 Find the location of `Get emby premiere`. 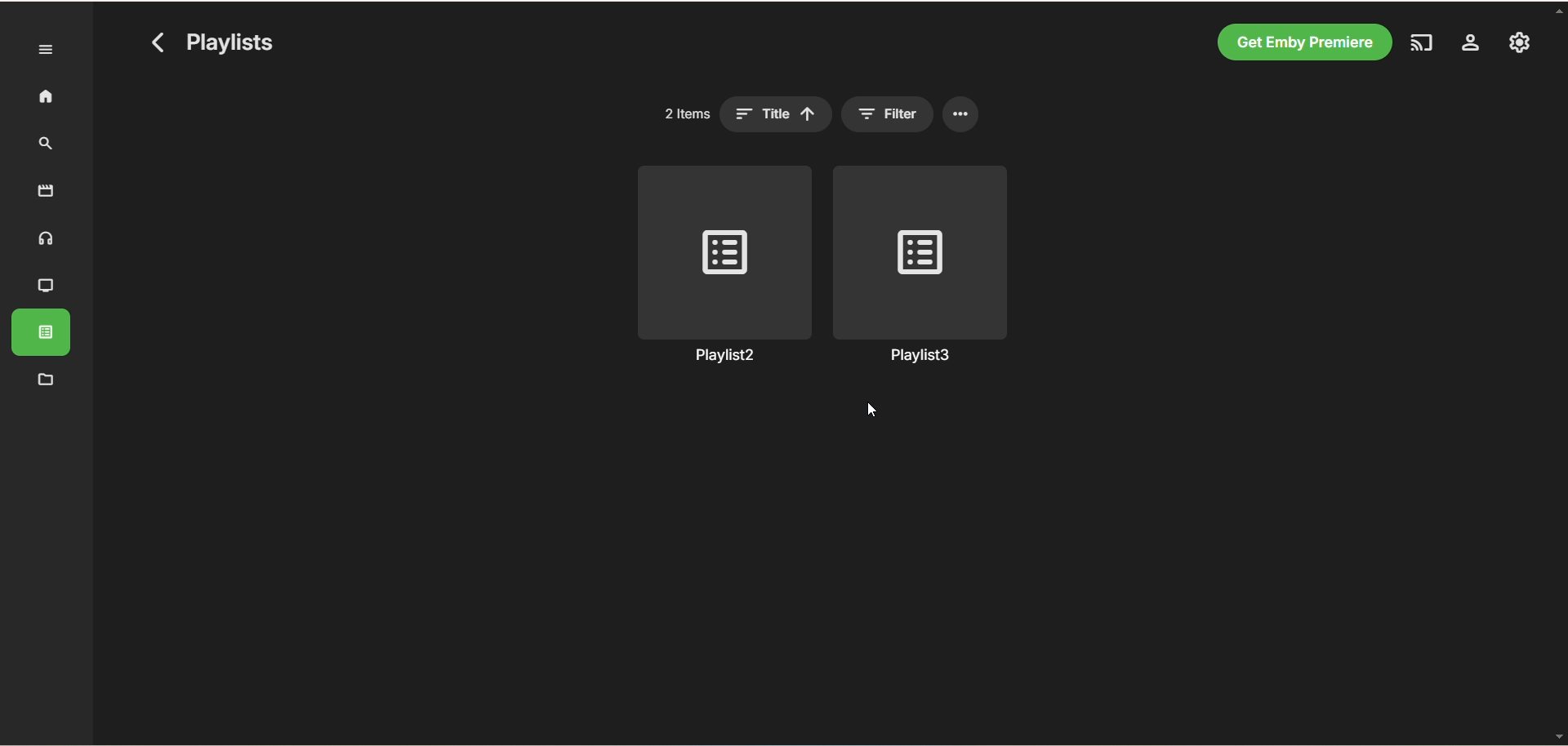

Get emby premiere is located at coordinates (1303, 42).